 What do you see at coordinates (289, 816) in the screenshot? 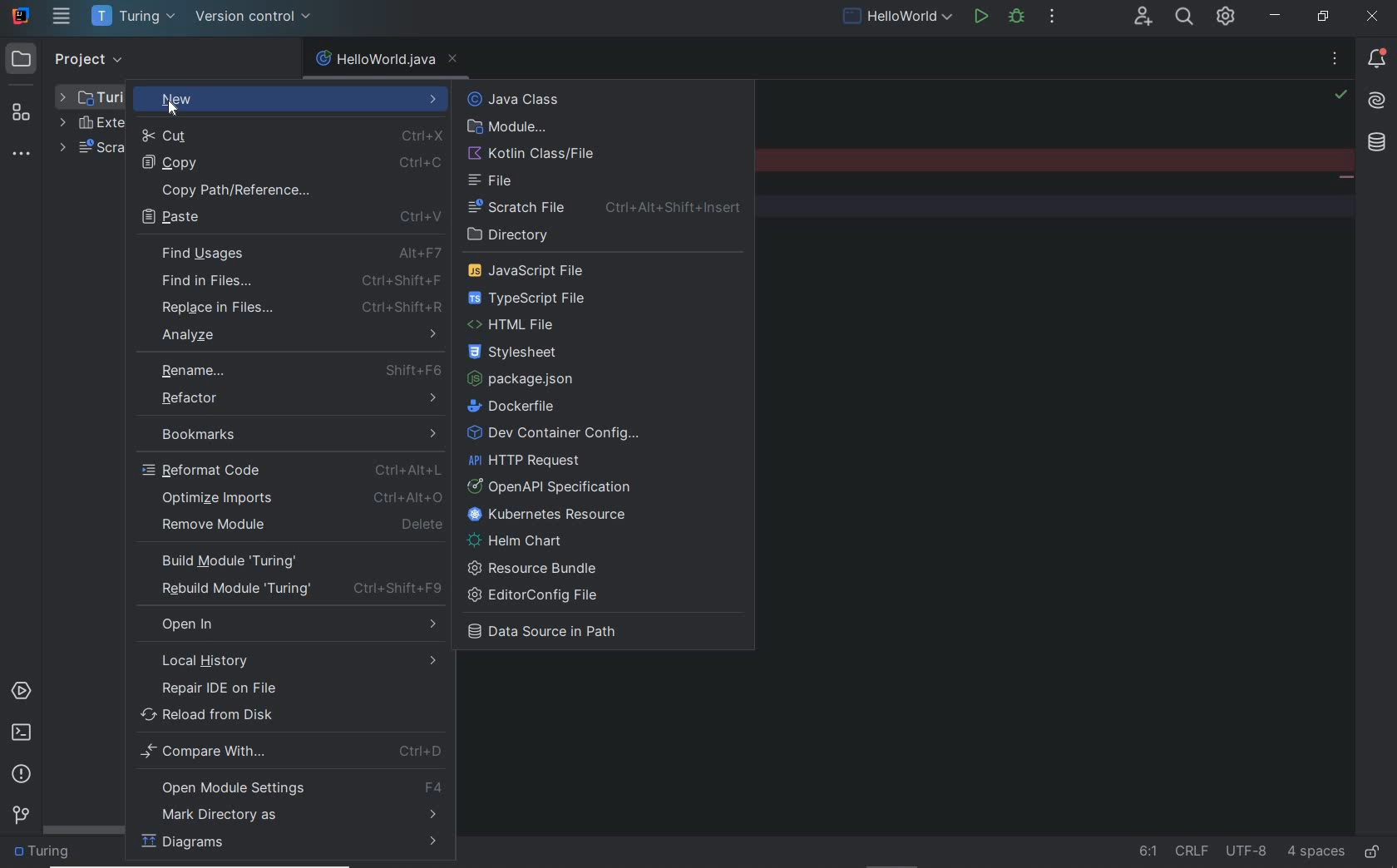
I see `mark directory as` at bounding box center [289, 816].